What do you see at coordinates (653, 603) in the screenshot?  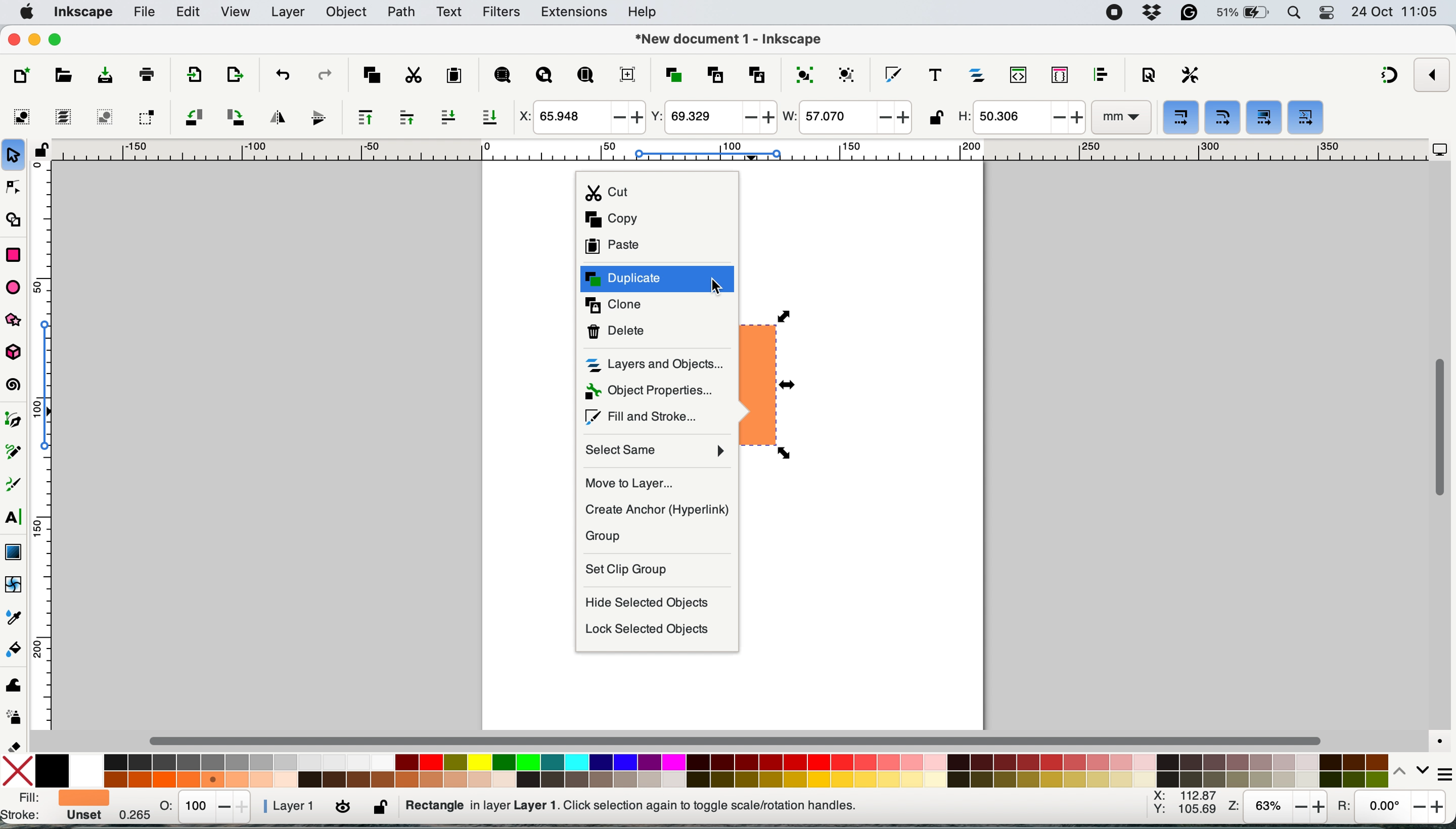 I see `hide selected objects` at bounding box center [653, 603].